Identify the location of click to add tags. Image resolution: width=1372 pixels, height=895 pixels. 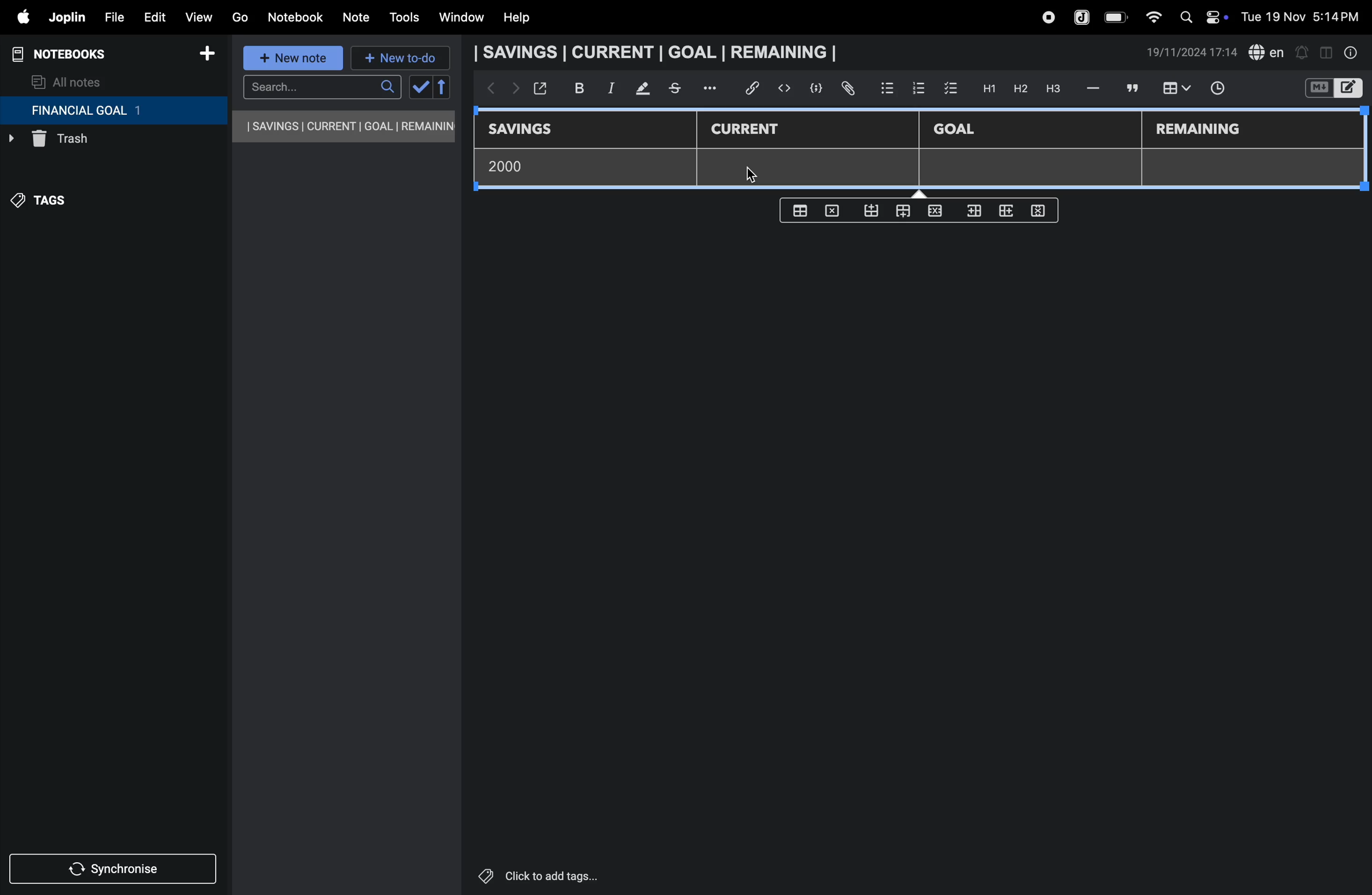
(567, 875).